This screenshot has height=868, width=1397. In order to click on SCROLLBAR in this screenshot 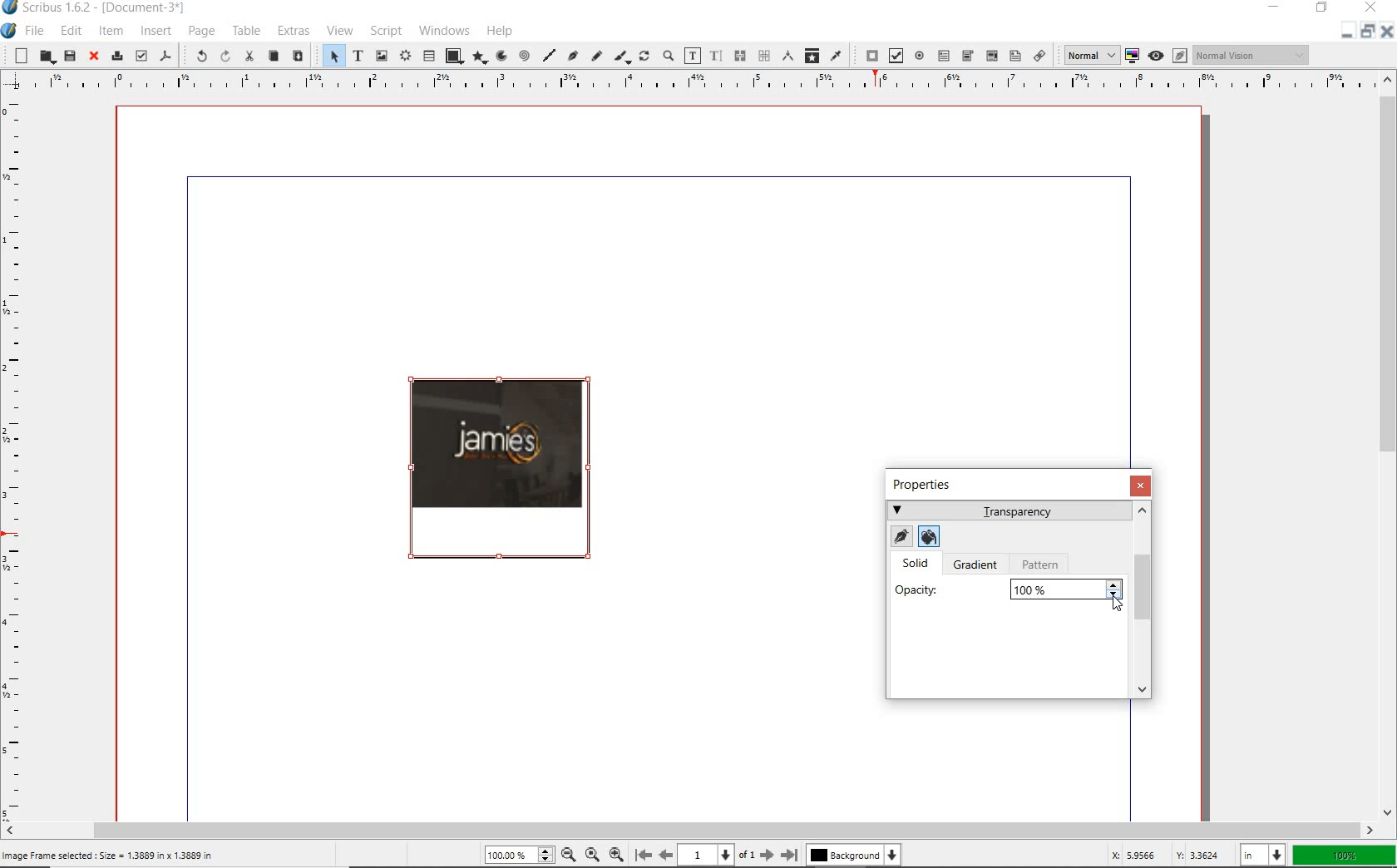, I will do `click(1389, 446)`.